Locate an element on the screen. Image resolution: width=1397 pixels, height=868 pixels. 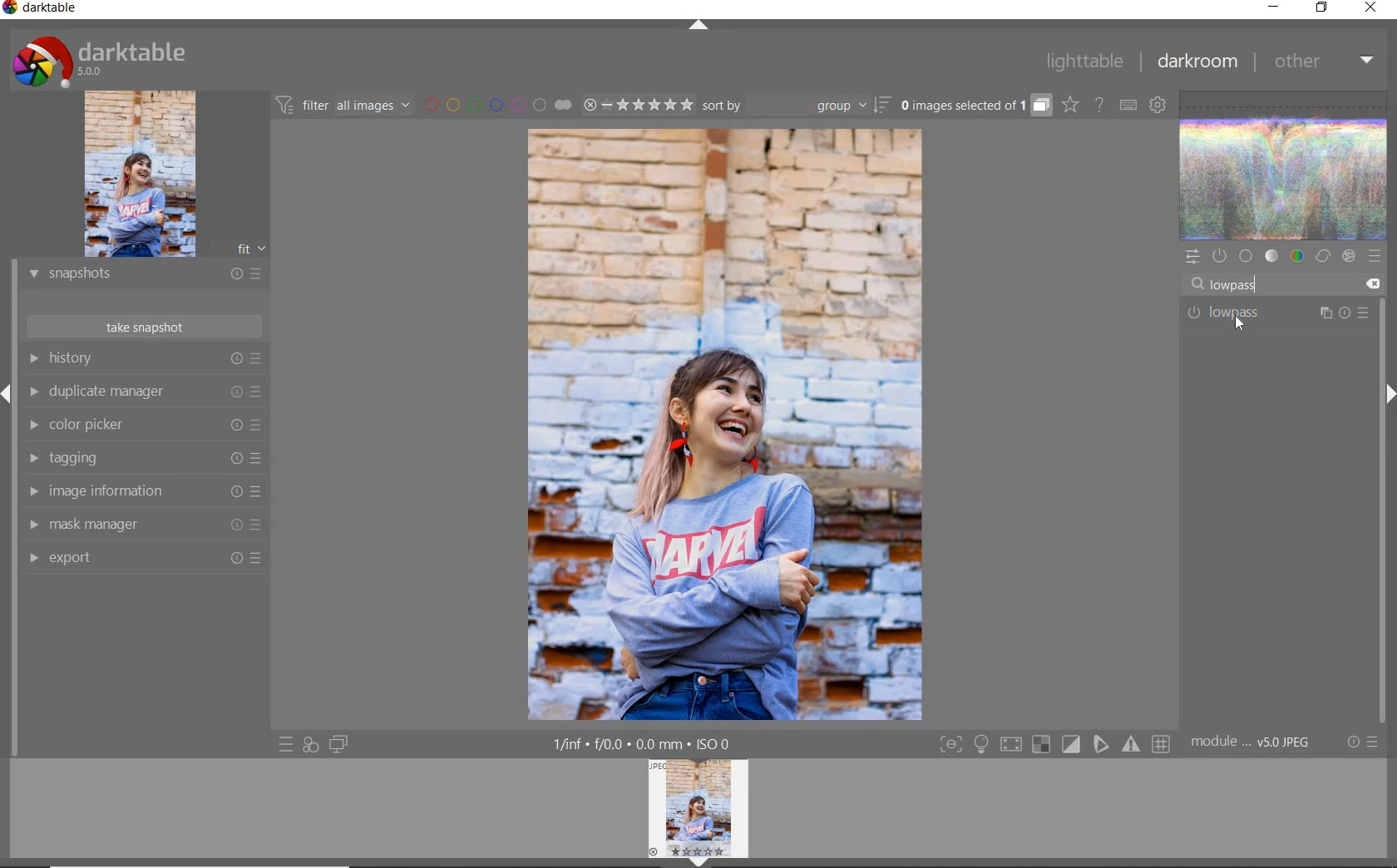
set keyboard shortcuts is located at coordinates (1127, 104).